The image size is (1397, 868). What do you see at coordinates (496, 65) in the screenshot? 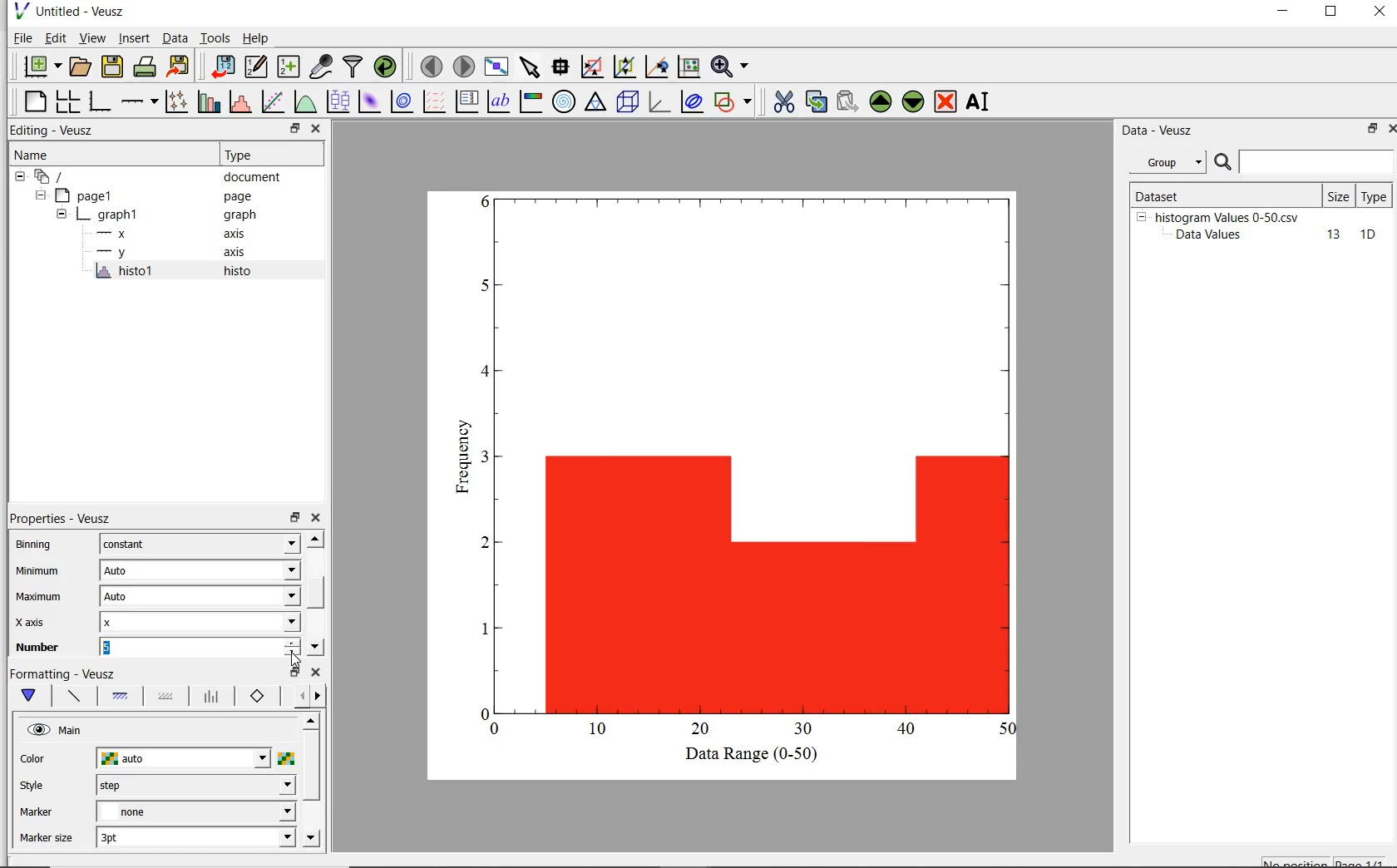
I see `view plot fullscreen` at bounding box center [496, 65].